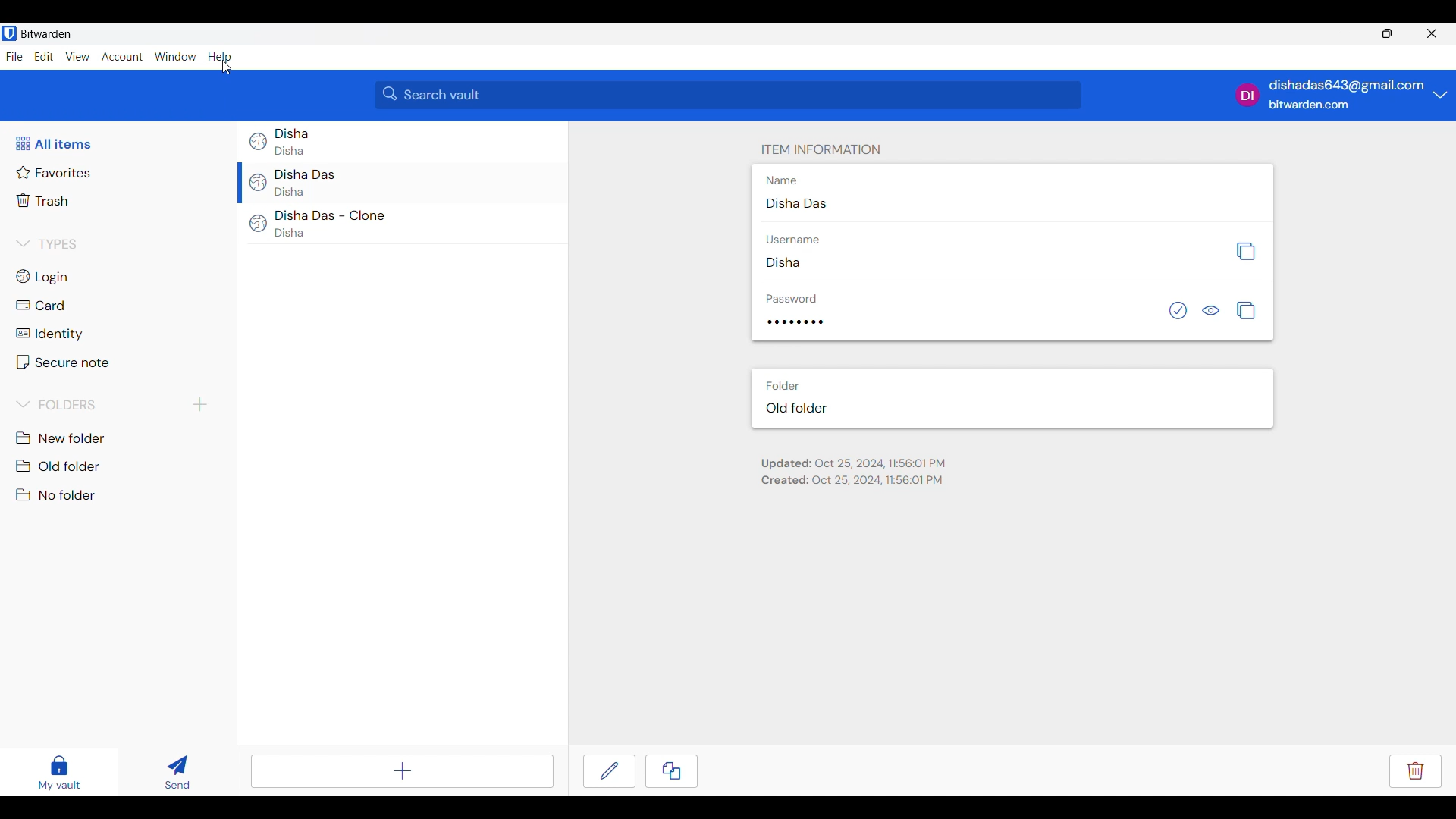  What do you see at coordinates (54, 173) in the screenshot?
I see `Favorites` at bounding box center [54, 173].